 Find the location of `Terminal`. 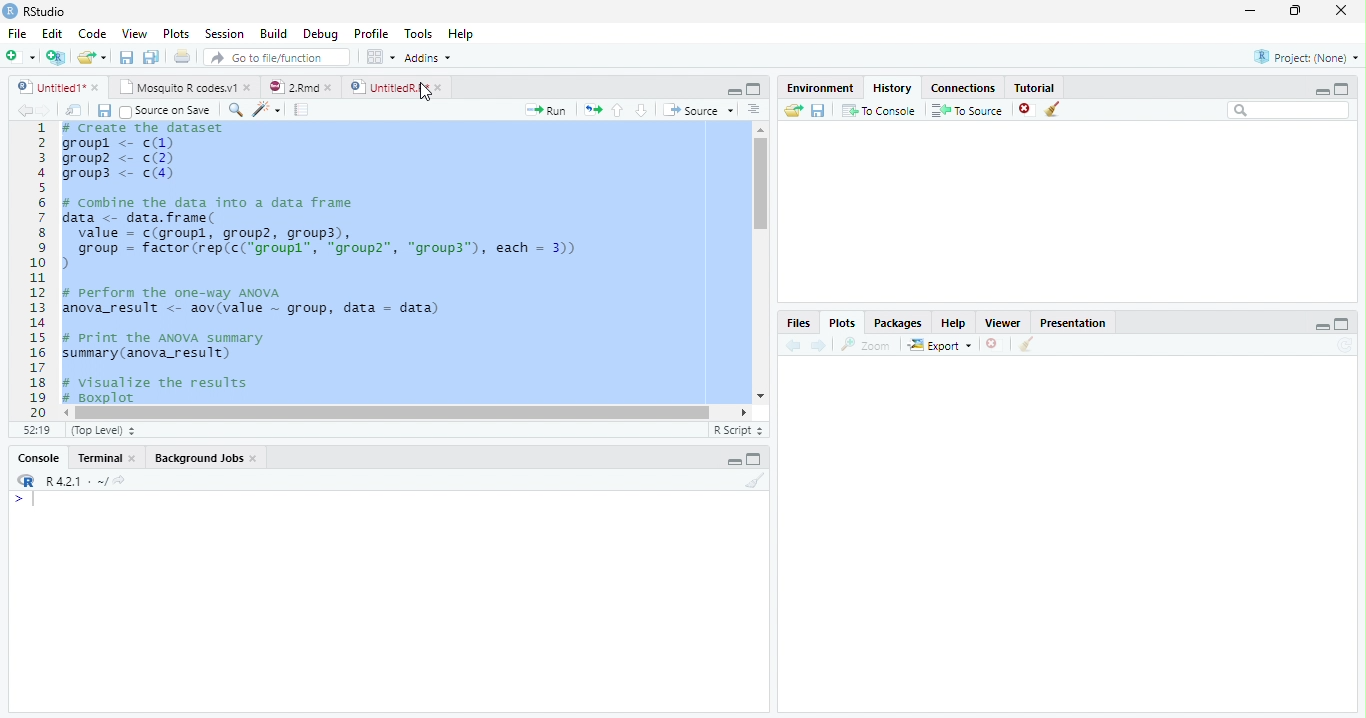

Terminal is located at coordinates (108, 458).